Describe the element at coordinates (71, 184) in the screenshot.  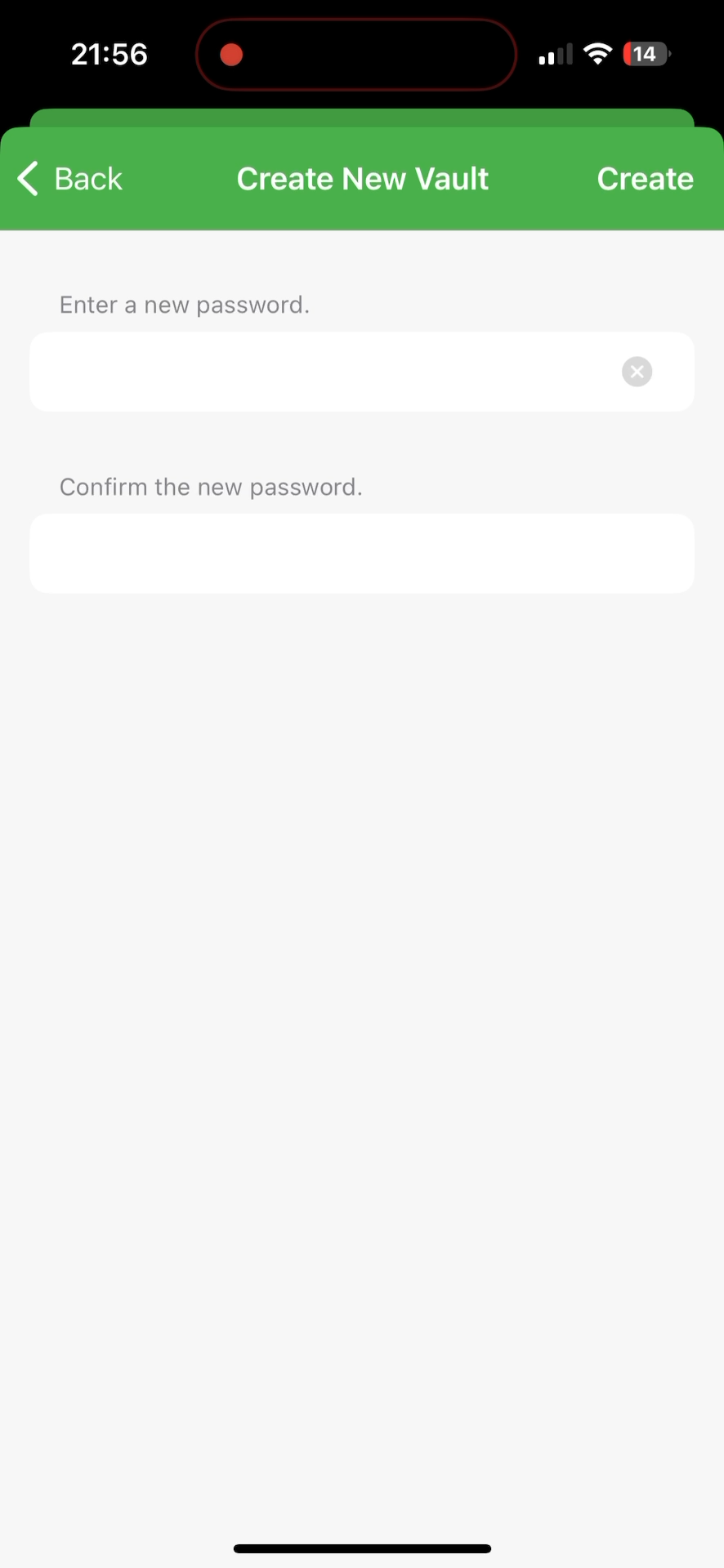
I see `Back` at that location.